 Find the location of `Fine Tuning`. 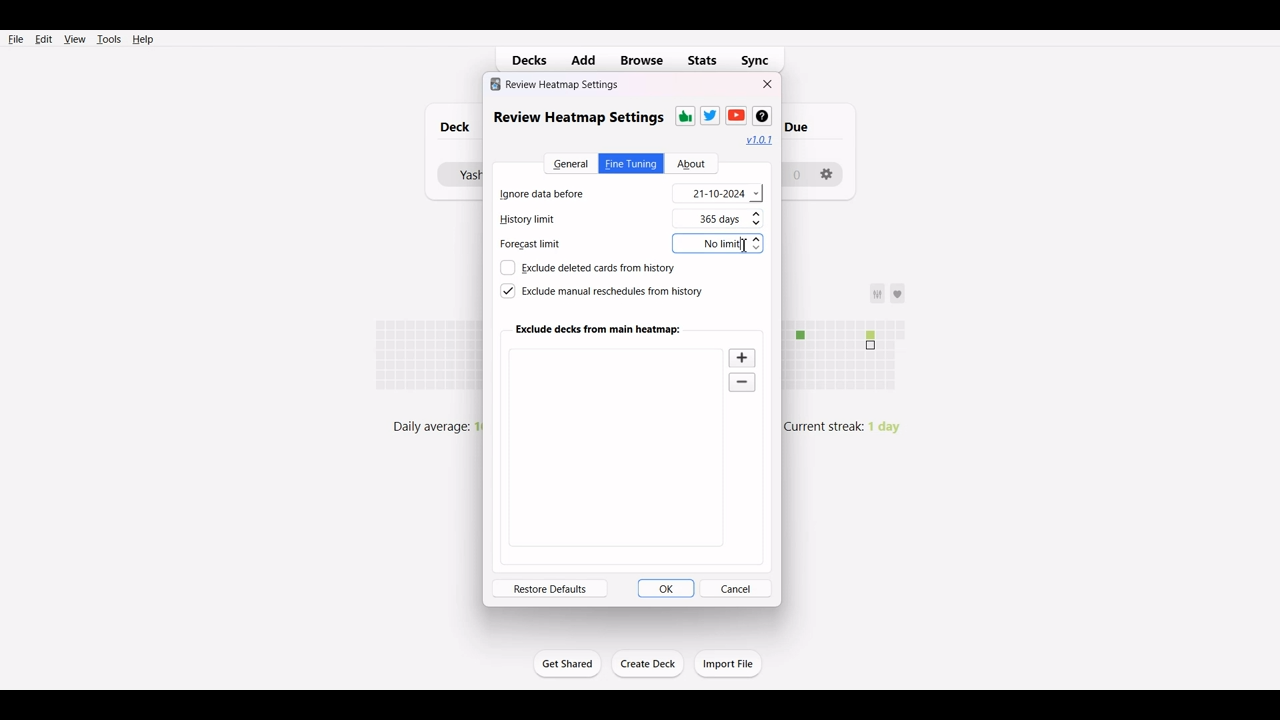

Fine Tuning is located at coordinates (631, 163).